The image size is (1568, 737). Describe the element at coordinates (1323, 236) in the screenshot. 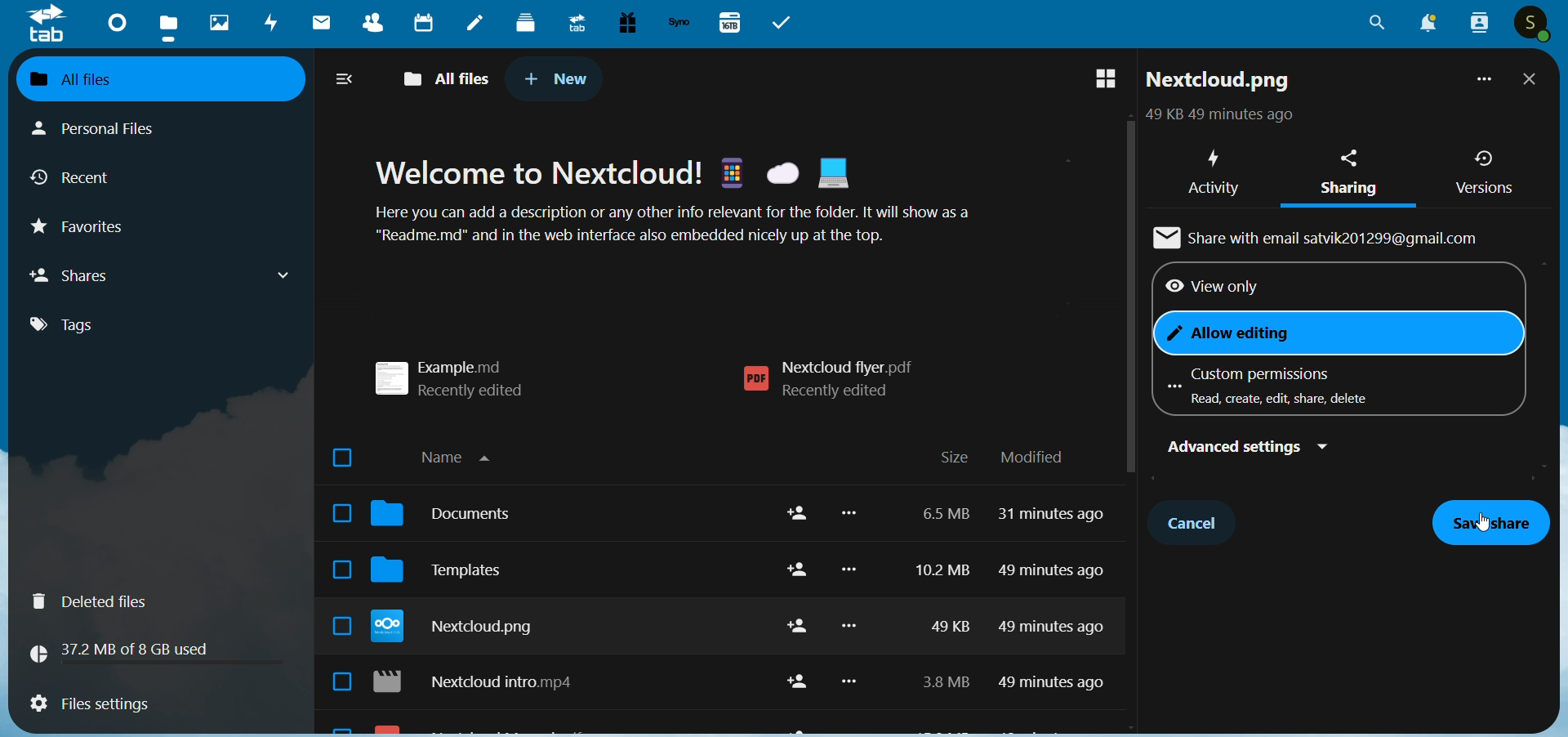

I see `search with given email` at that location.